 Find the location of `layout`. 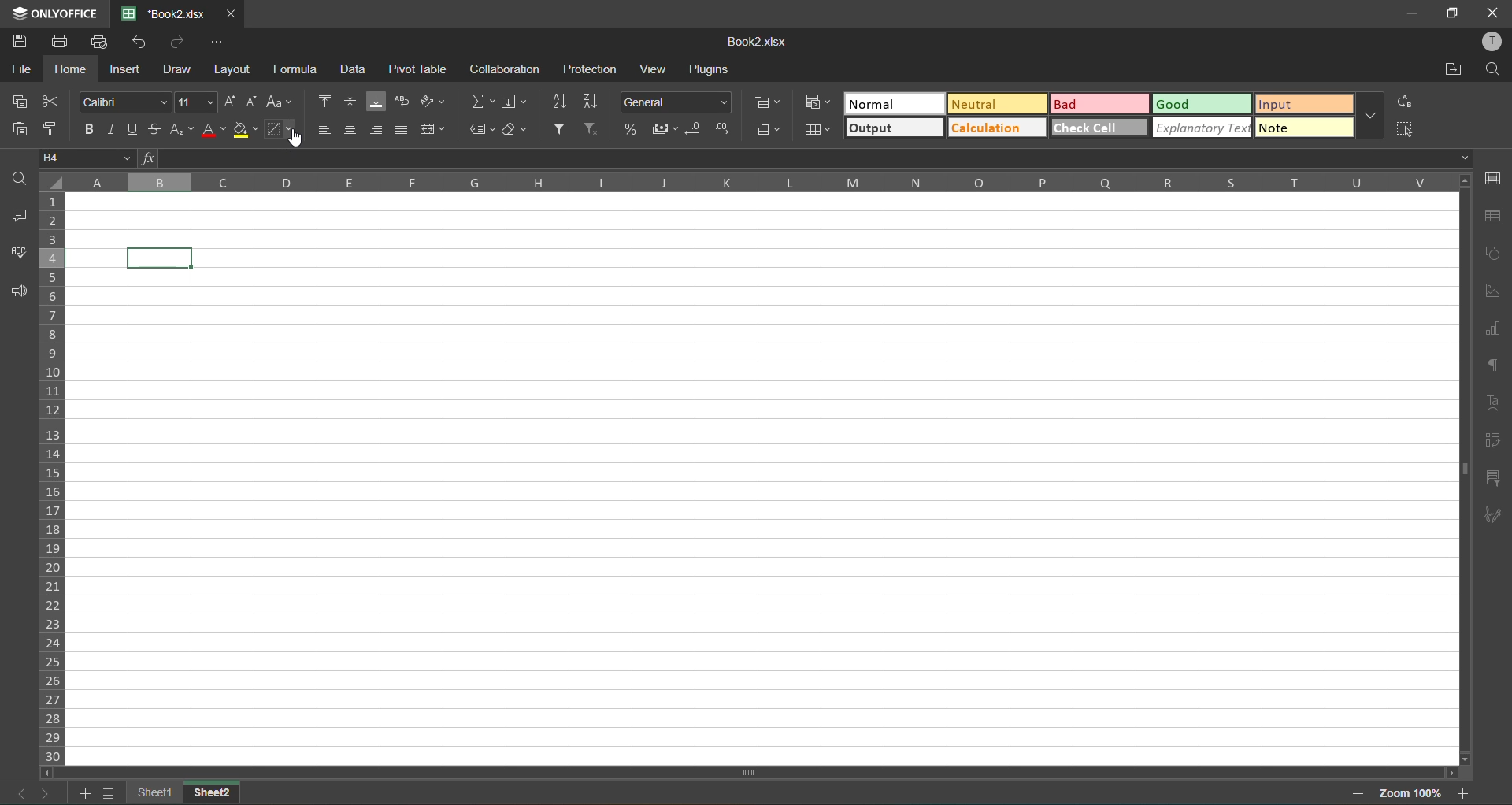

layout is located at coordinates (231, 70).